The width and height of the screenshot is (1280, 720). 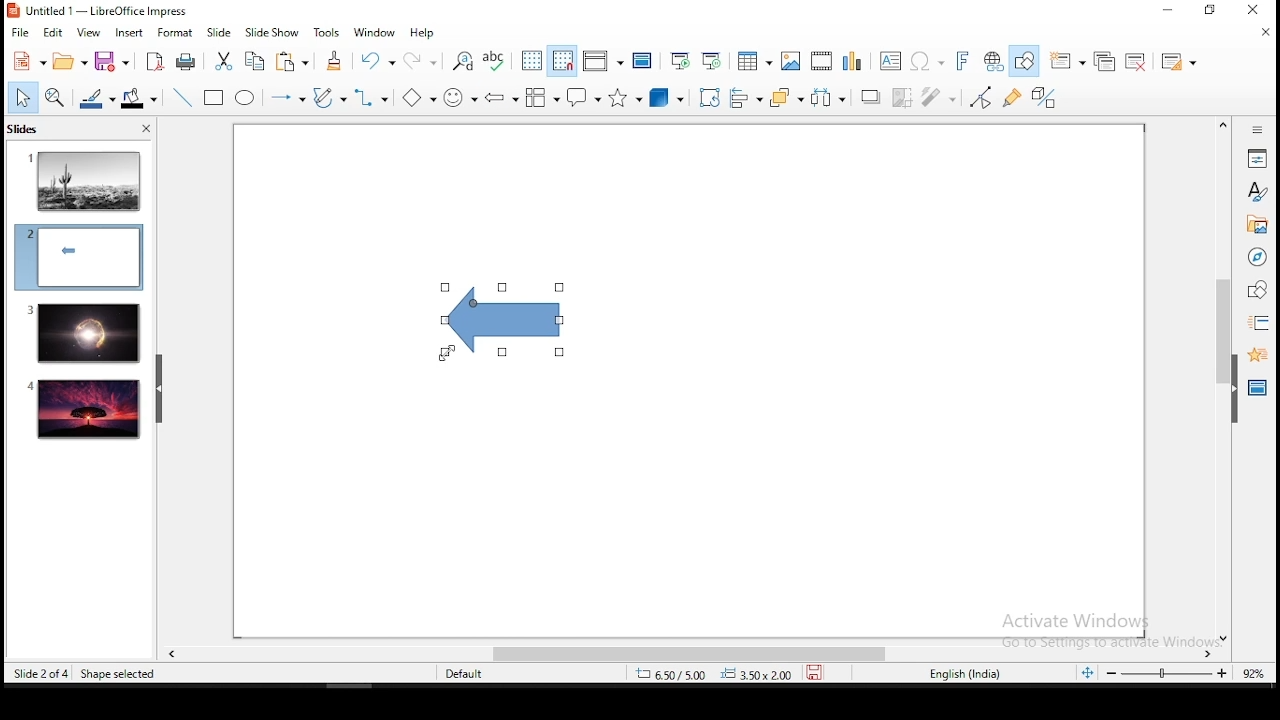 I want to click on , so click(x=1094, y=625).